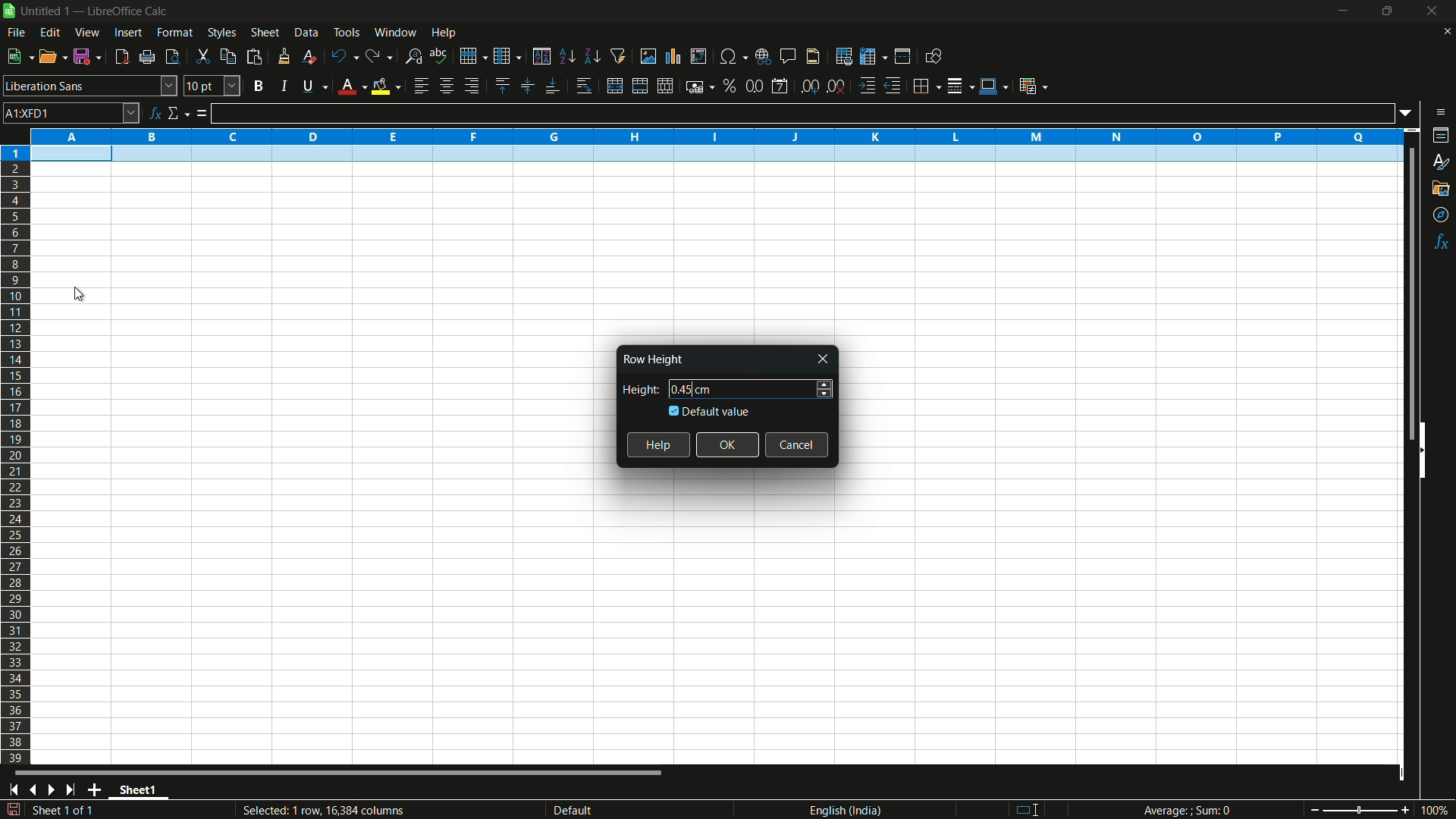  What do you see at coordinates (54, 57) in the screenshot?
I see `open file` at bounding box center [54, 57].